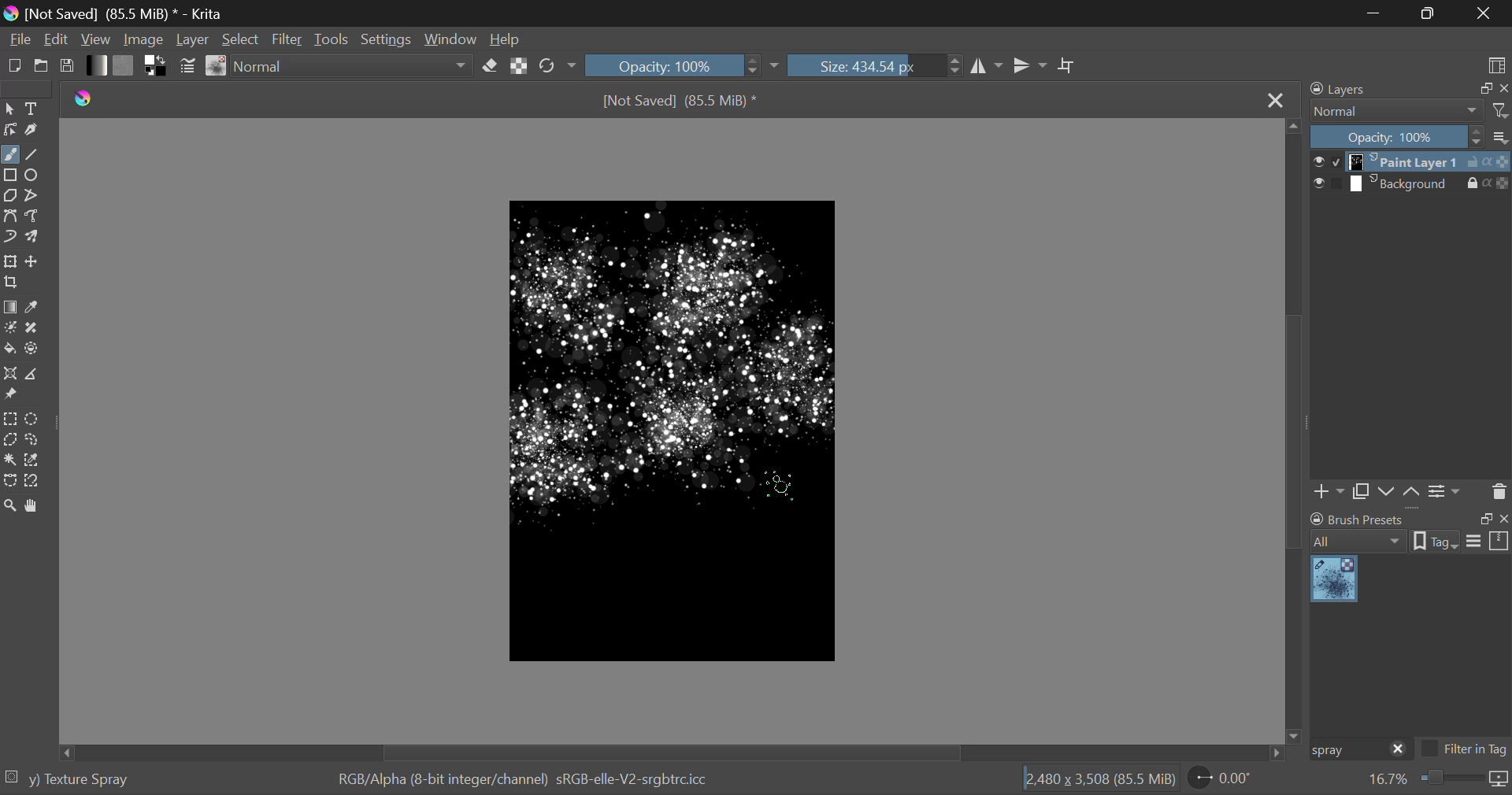 The height and width of the screenshot is (795, 1512). Describe the element at coordinates (127, 13) in the screenshot. I see `[Not Saved] (69.2 MiB) * - Krita` at that location.